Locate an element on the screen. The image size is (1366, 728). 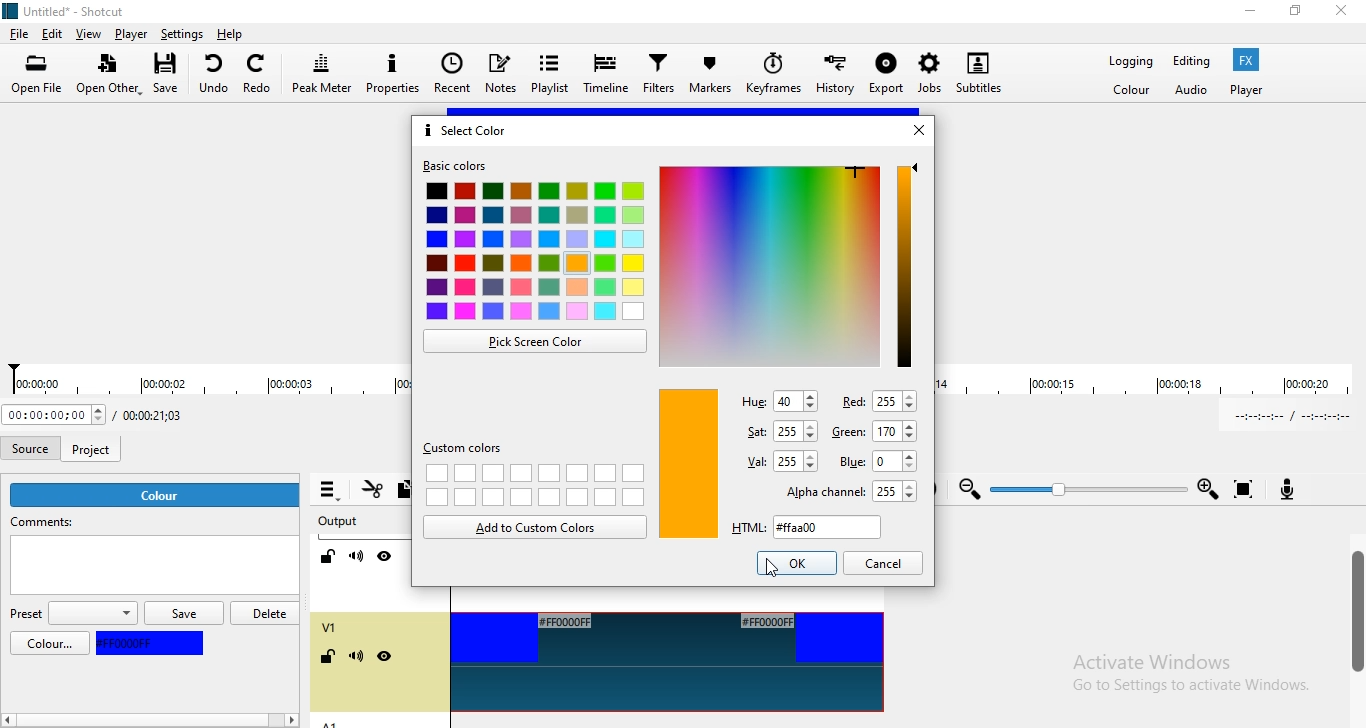
Timeline is located at coordinates (605, 75).